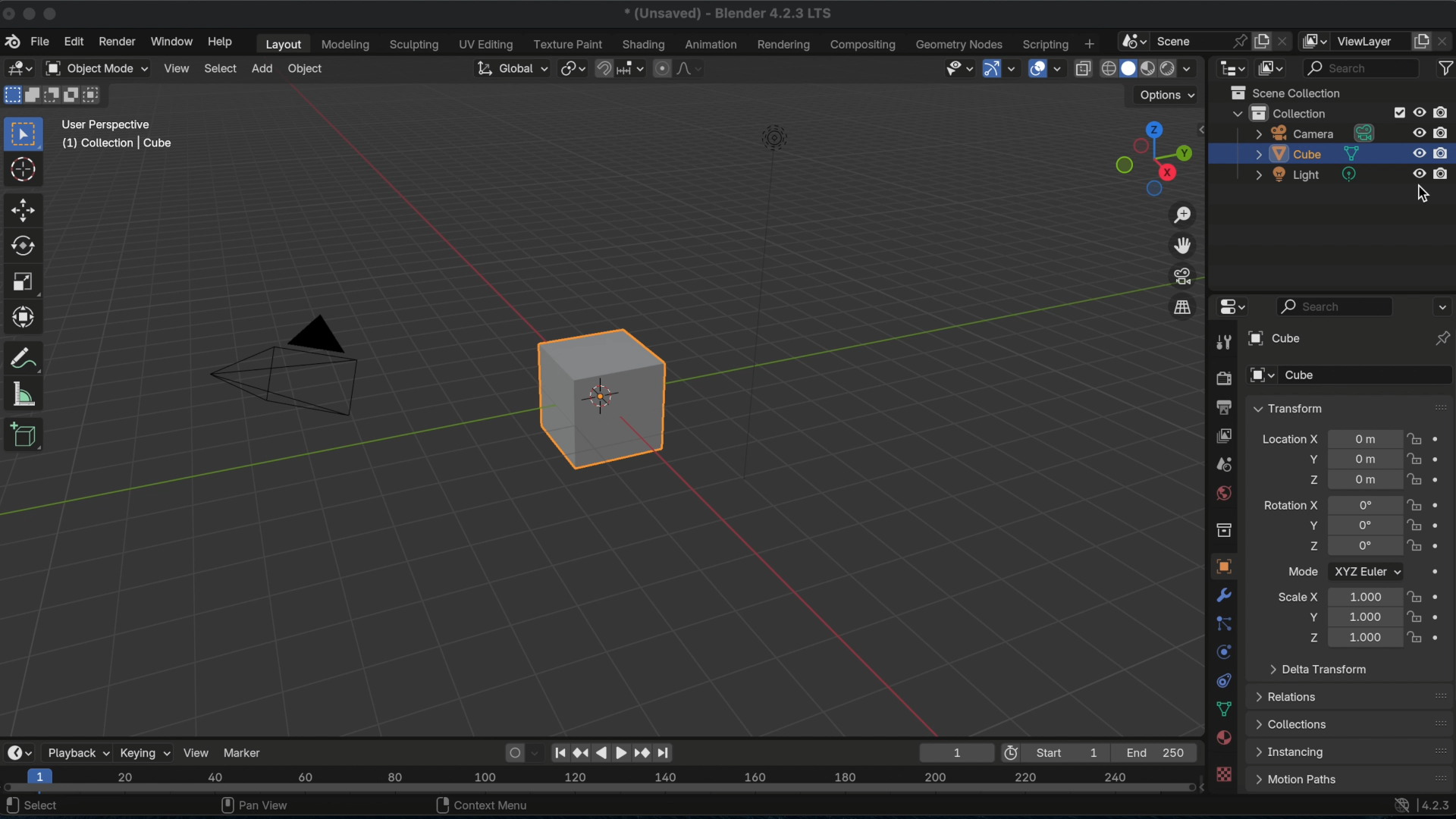  Describe the element at coordinates (174, 40) in the screenshot. I see `window` at that location.